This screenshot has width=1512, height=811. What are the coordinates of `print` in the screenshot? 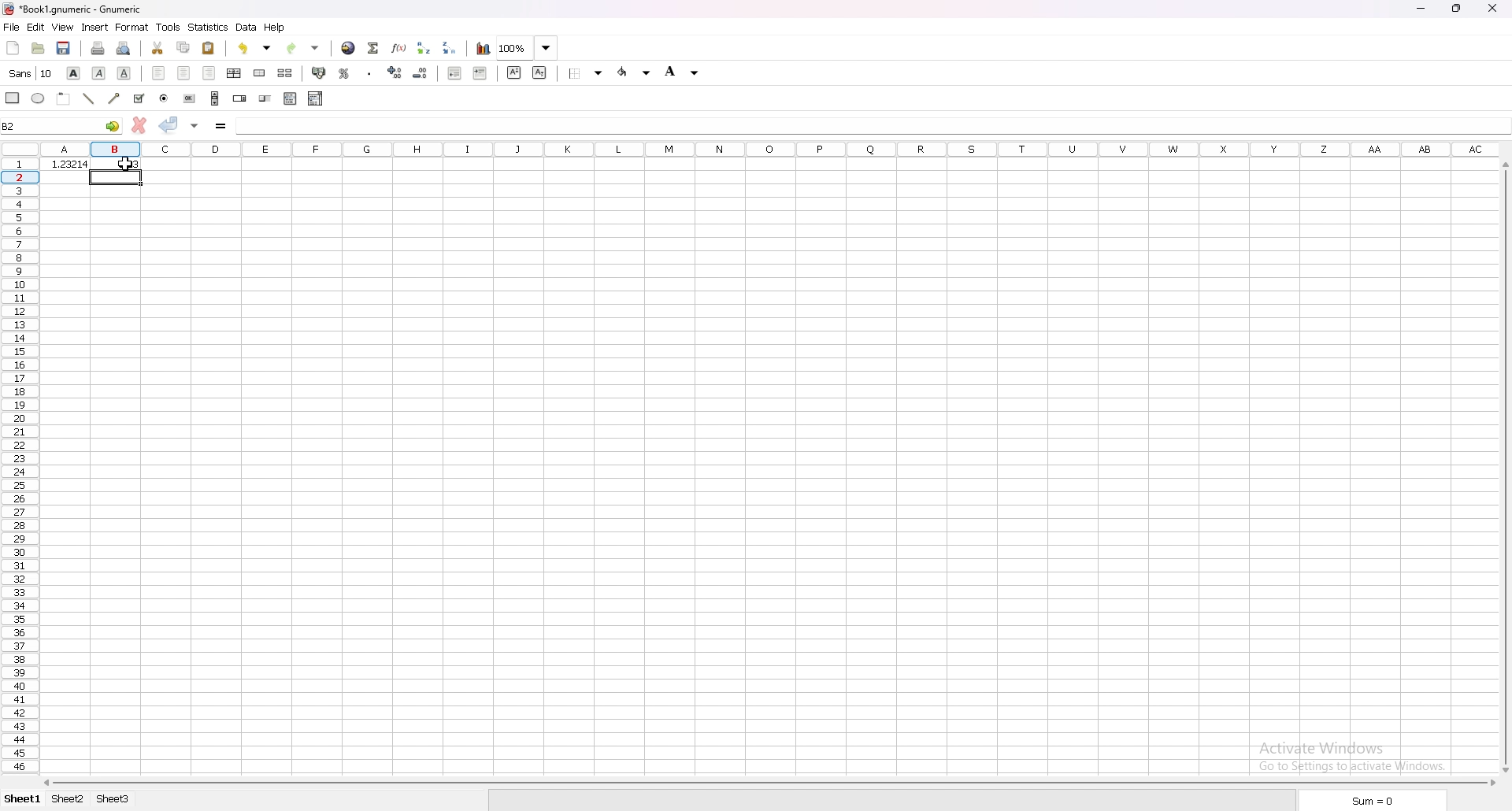 It's located at (98, 48).